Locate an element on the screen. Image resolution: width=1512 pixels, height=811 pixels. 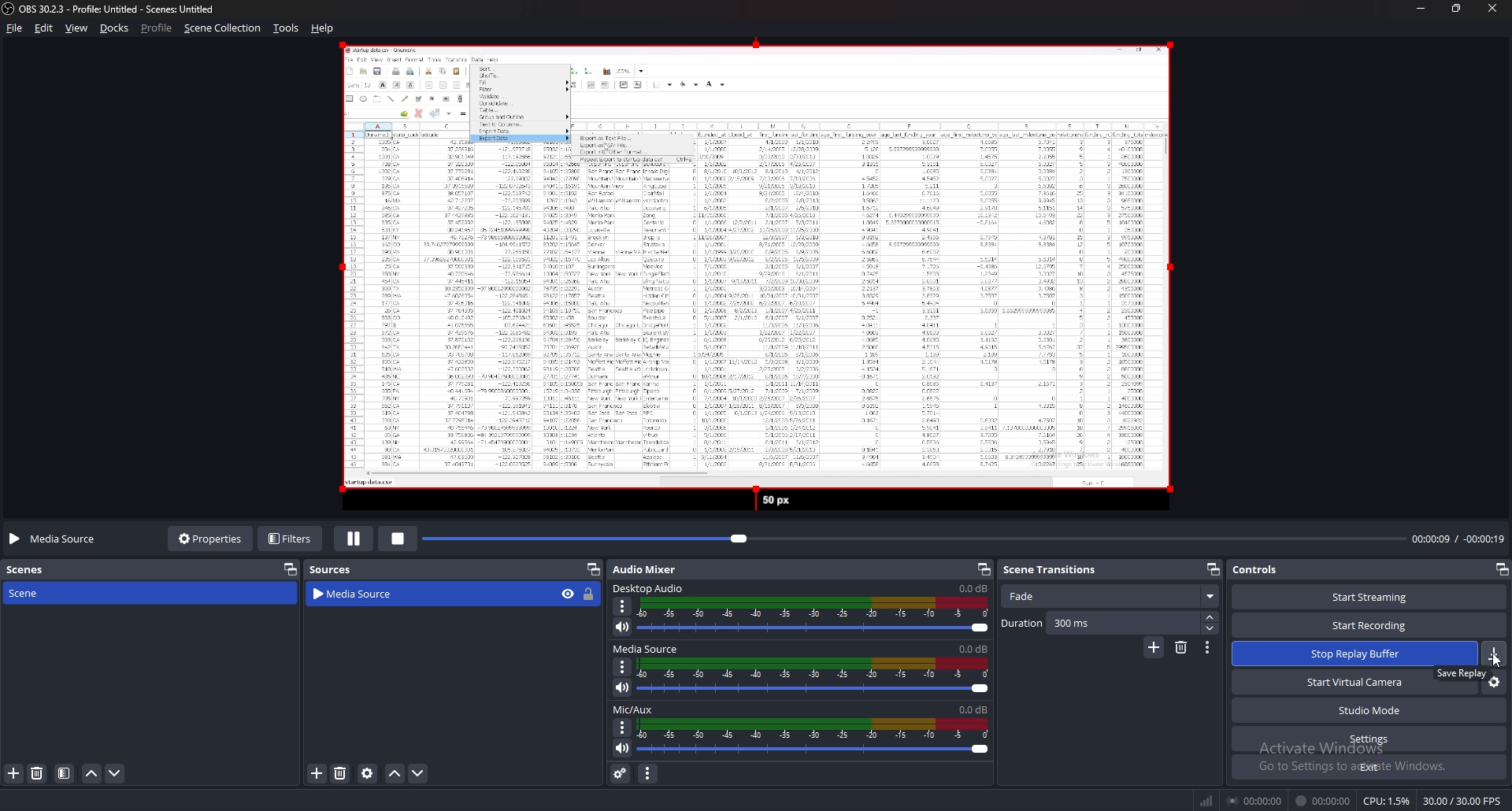
move source up is located at coordinates (395, 773).